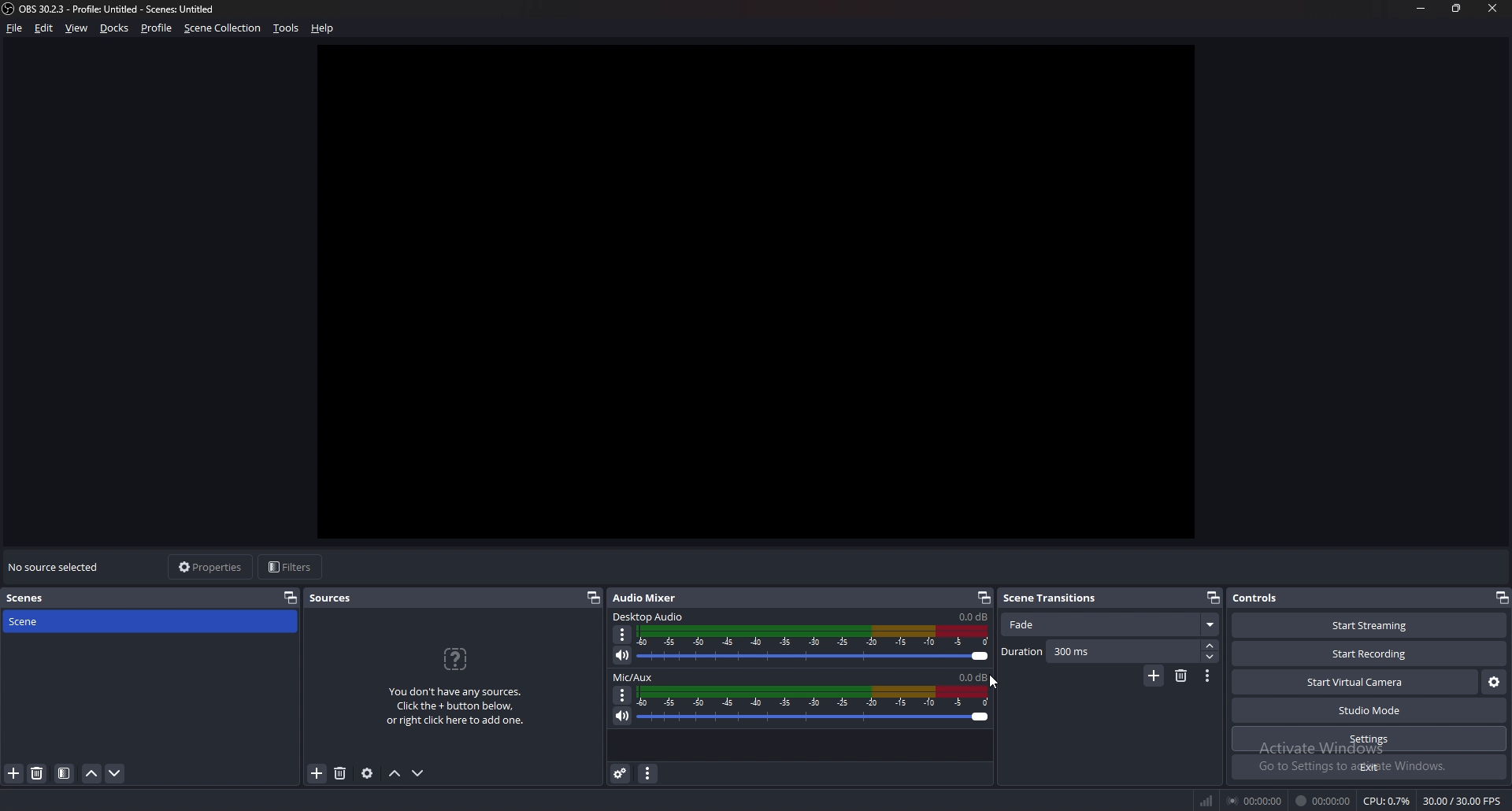  Describe the element at coordinates (43, 28) in the screenshot. I see `edit` at that location.